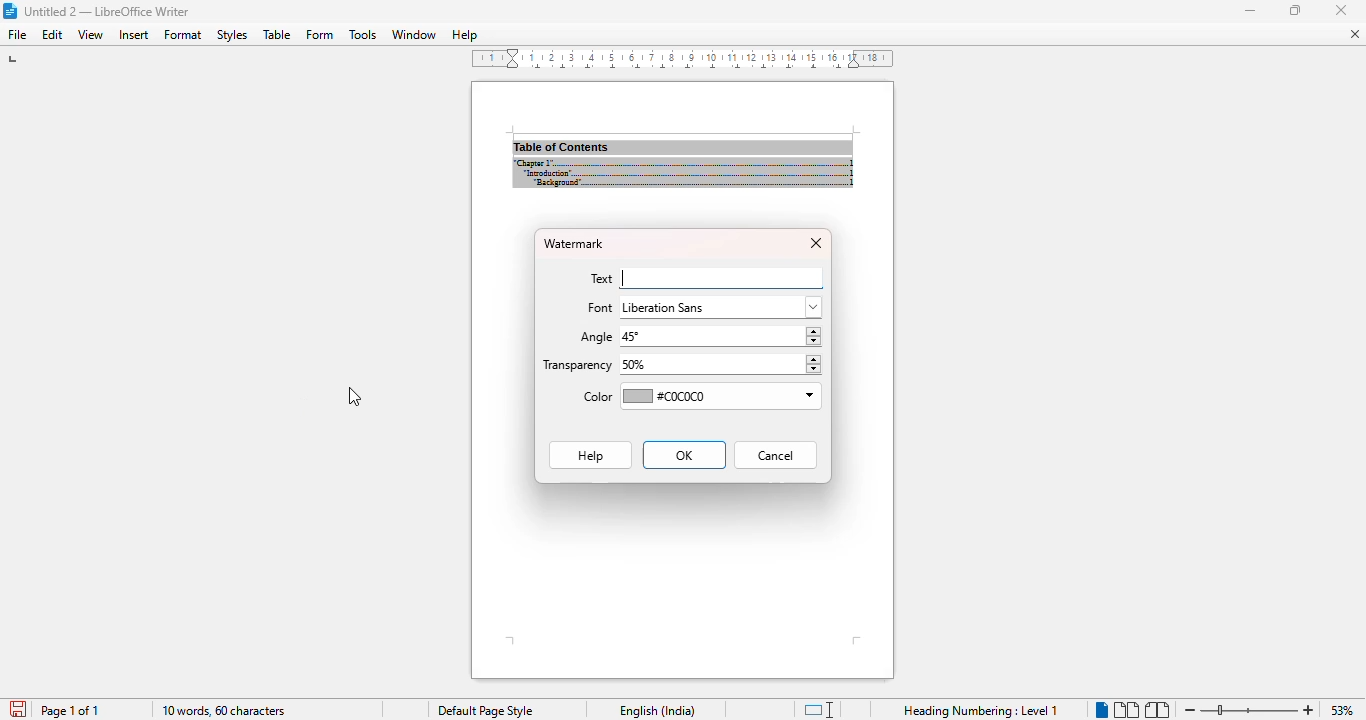 The height and width of the screenshot is (720, 1366). What do you see at coordinates (1341, 710) in the screenshot?
I see `zoom factor` at bounding box center [1341, 710].